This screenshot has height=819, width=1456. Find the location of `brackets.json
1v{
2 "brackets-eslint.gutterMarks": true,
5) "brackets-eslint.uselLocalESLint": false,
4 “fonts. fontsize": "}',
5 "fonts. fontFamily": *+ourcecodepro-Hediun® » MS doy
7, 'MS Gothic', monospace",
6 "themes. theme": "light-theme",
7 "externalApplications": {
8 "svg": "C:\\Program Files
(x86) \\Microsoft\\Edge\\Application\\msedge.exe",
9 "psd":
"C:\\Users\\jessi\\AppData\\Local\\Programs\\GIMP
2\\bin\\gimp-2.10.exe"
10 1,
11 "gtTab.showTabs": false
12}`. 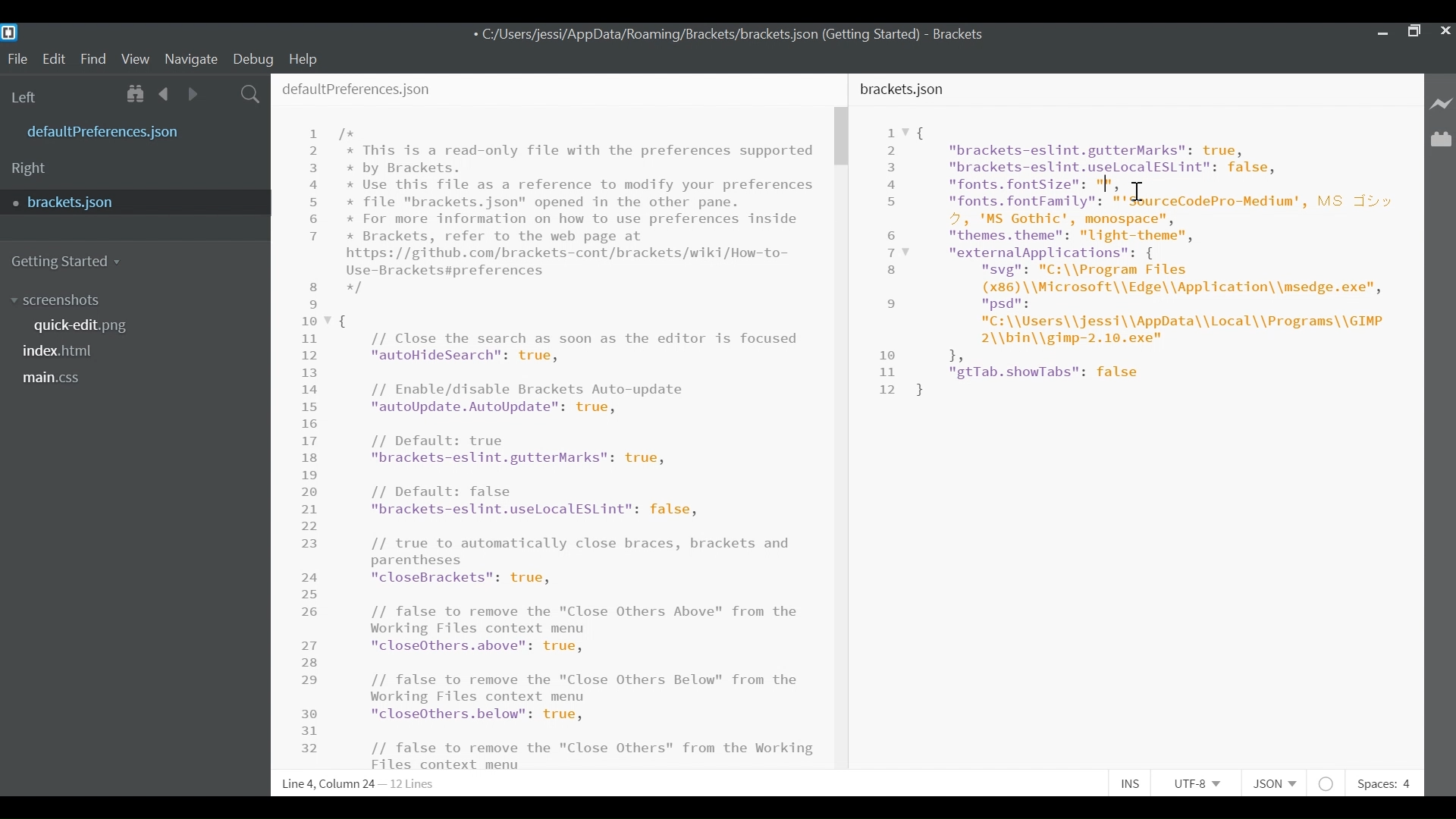

brackets.json
1v{
2 "brackets-eslint.gutterMarks": true,
5) "brackets-eslint.uselLocalESLint": false,
4 “fonts. fontsize": "}',
5 "fonts. fontFamily": *+ourcecodepro-Hediun® » MS doy
7, 'MS Gothic', monospace",
6 "themes. theme": "light-theme",
7 "externalApplications": {
8 "svg": "C:\\Program Files
(x86) \\Microsoft\\Edge\\Application\\msedge.exe",
9 "psd":
"C:\\Users\\jessi\\AppData\\Local\\Programs\\GIMP
2\\bin\\gimp-2.10.exe"
10 1,
11 "gtTab.showTabs": false
12} is located at coordinates (1134, 285).